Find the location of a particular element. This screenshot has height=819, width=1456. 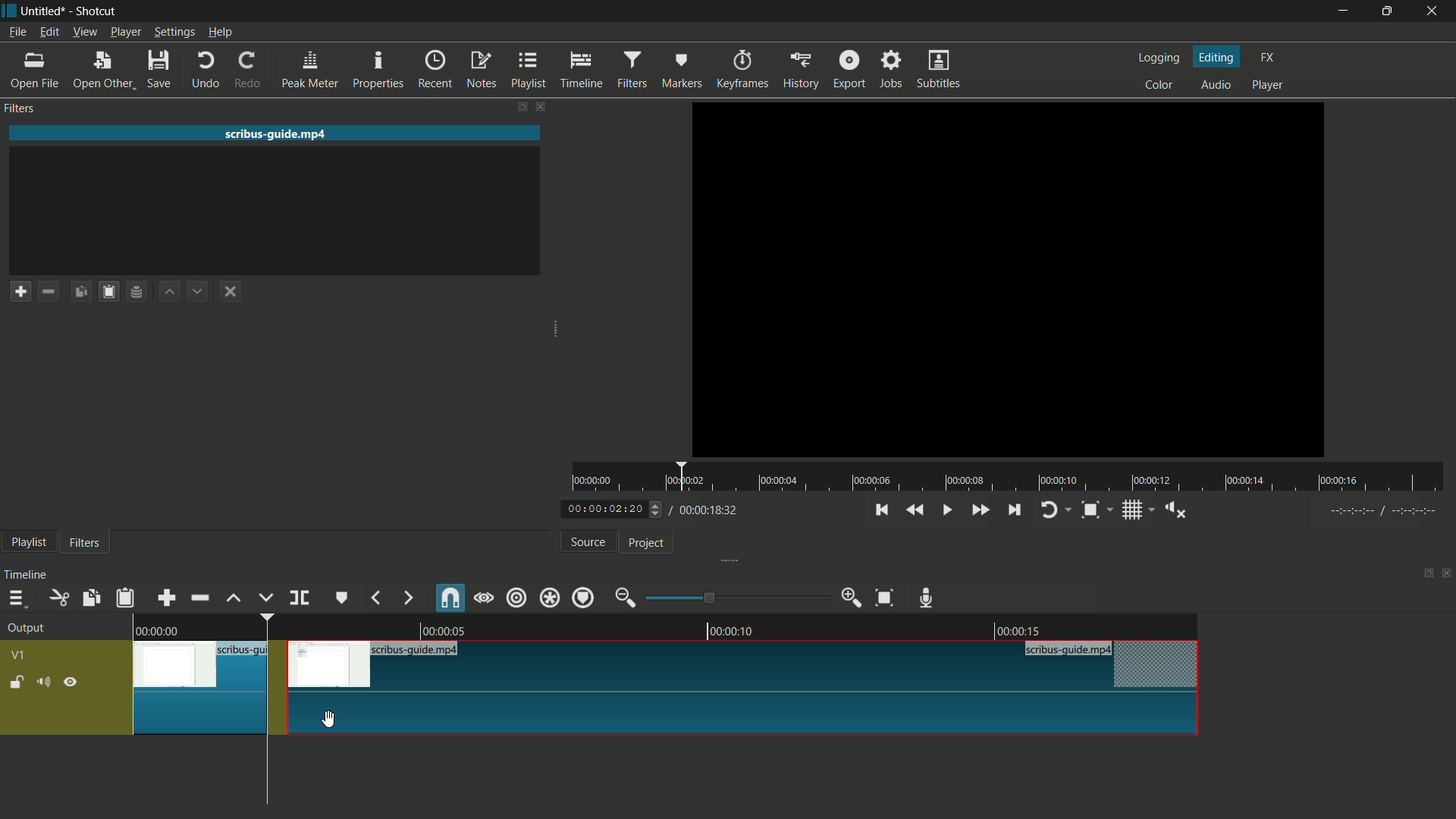

skip to the next point is located at coordinates (1015, 510).